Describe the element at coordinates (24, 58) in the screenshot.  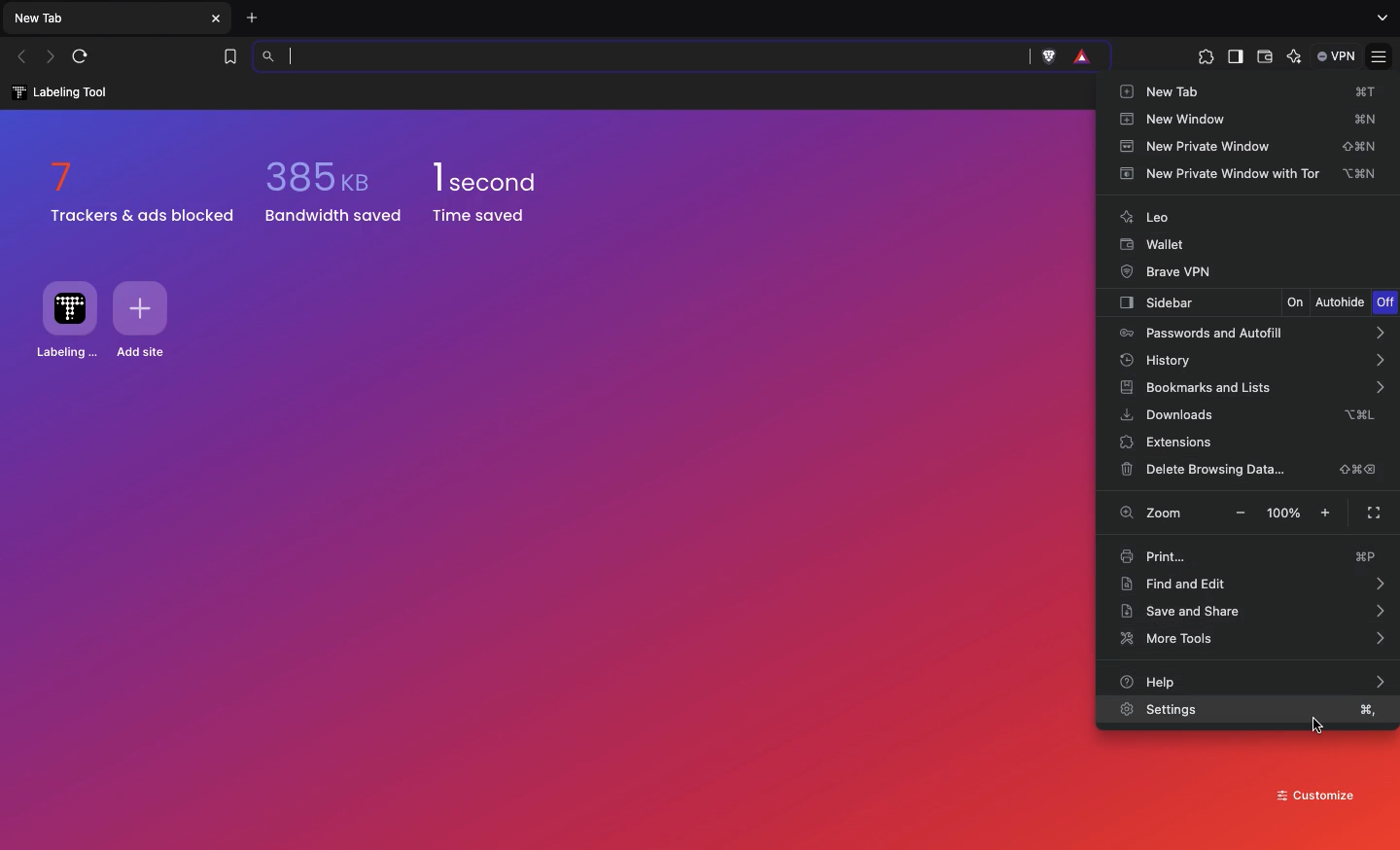
I see `Previous page` at that location.